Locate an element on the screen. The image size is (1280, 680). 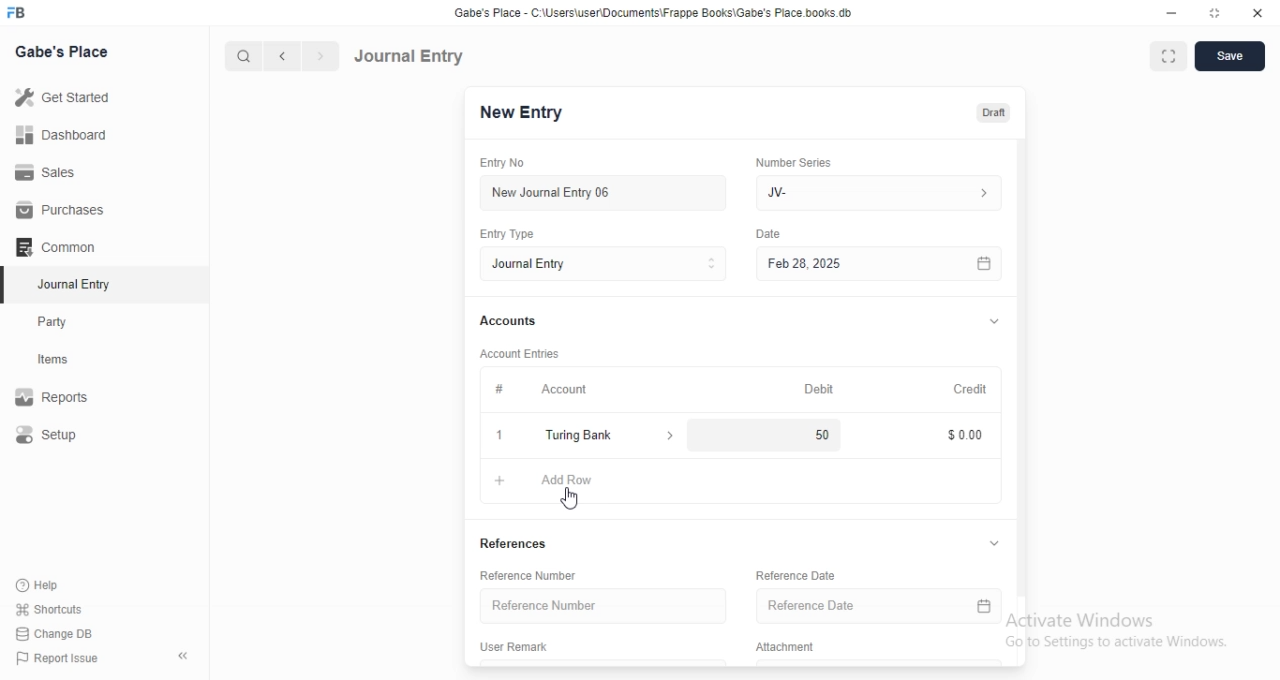
calender is located at coordinates (984, 263).